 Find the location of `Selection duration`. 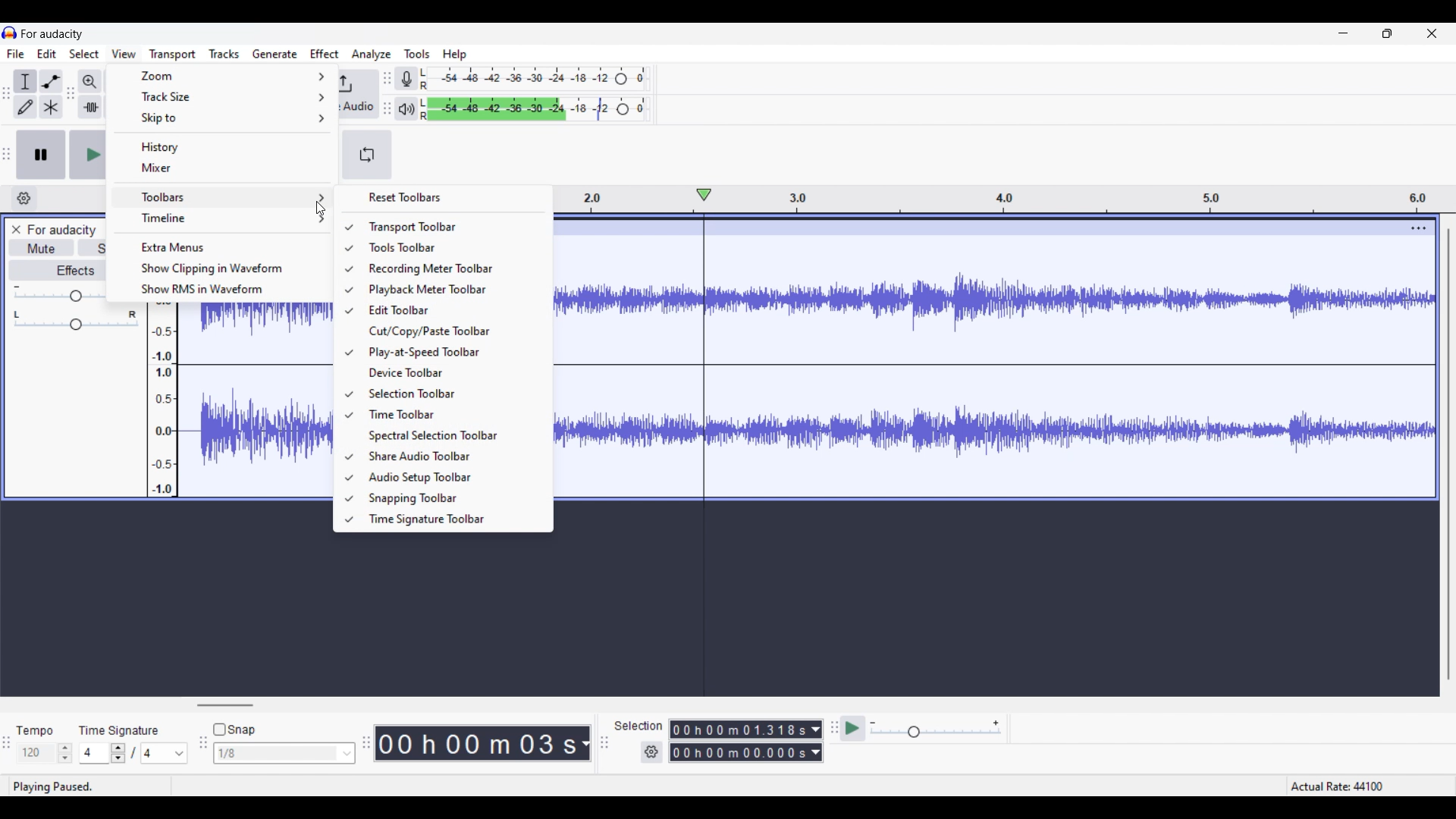

Selection duration is located at coordinates (739, 741).